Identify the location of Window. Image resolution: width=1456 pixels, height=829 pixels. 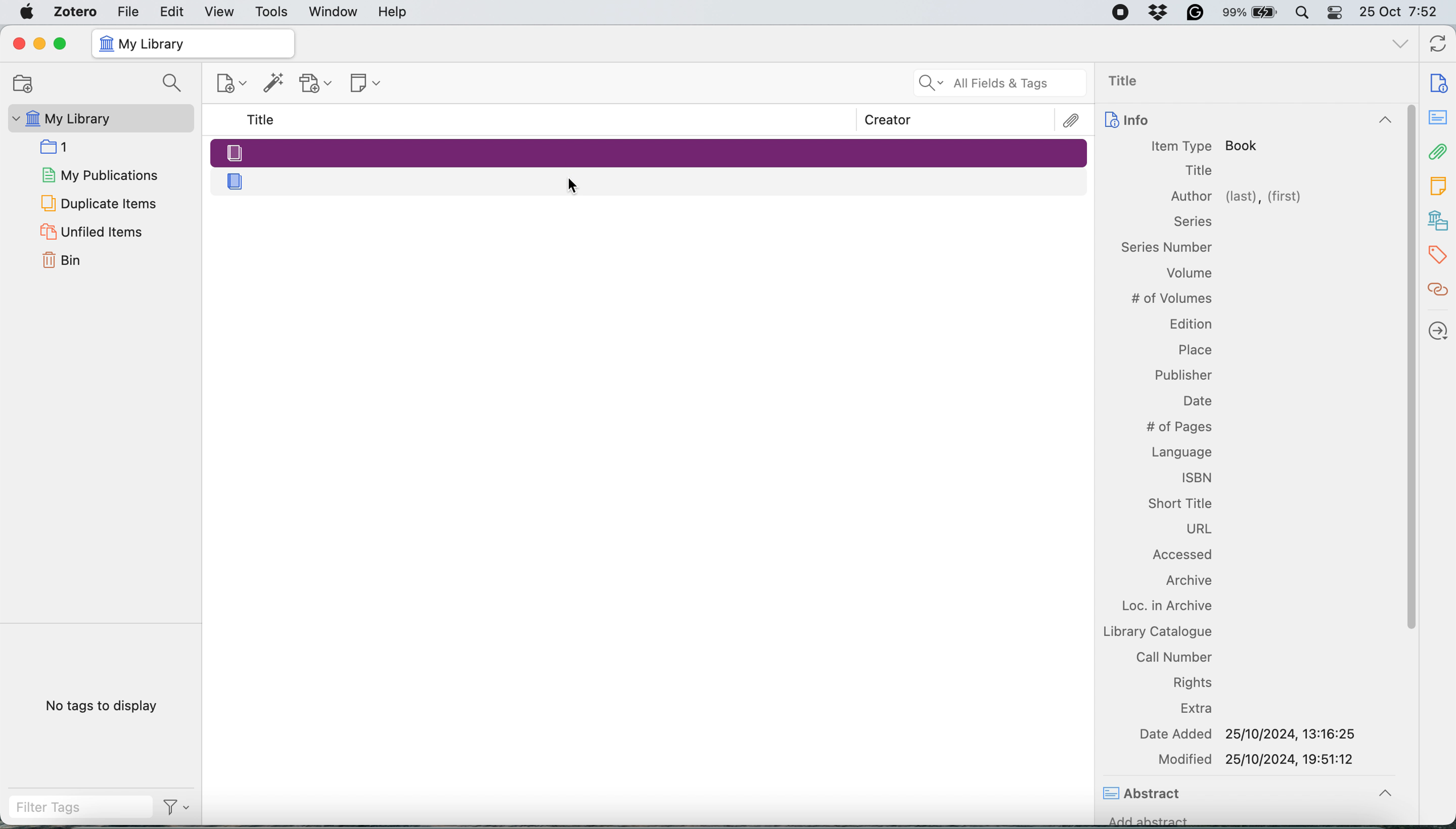
(334, 12).